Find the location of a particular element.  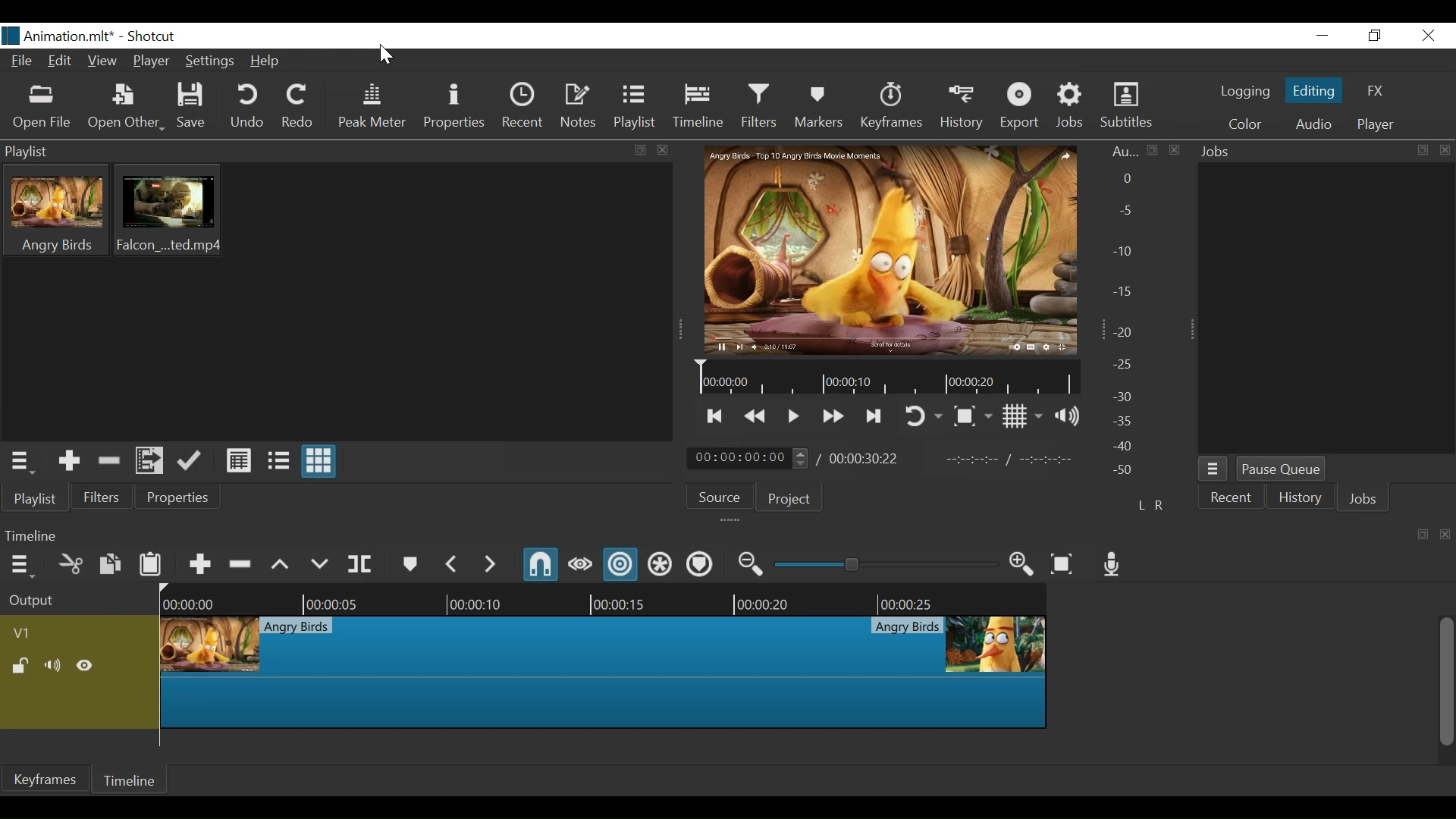

Shotcut Desktop icon is located at coordinates (11, 36).